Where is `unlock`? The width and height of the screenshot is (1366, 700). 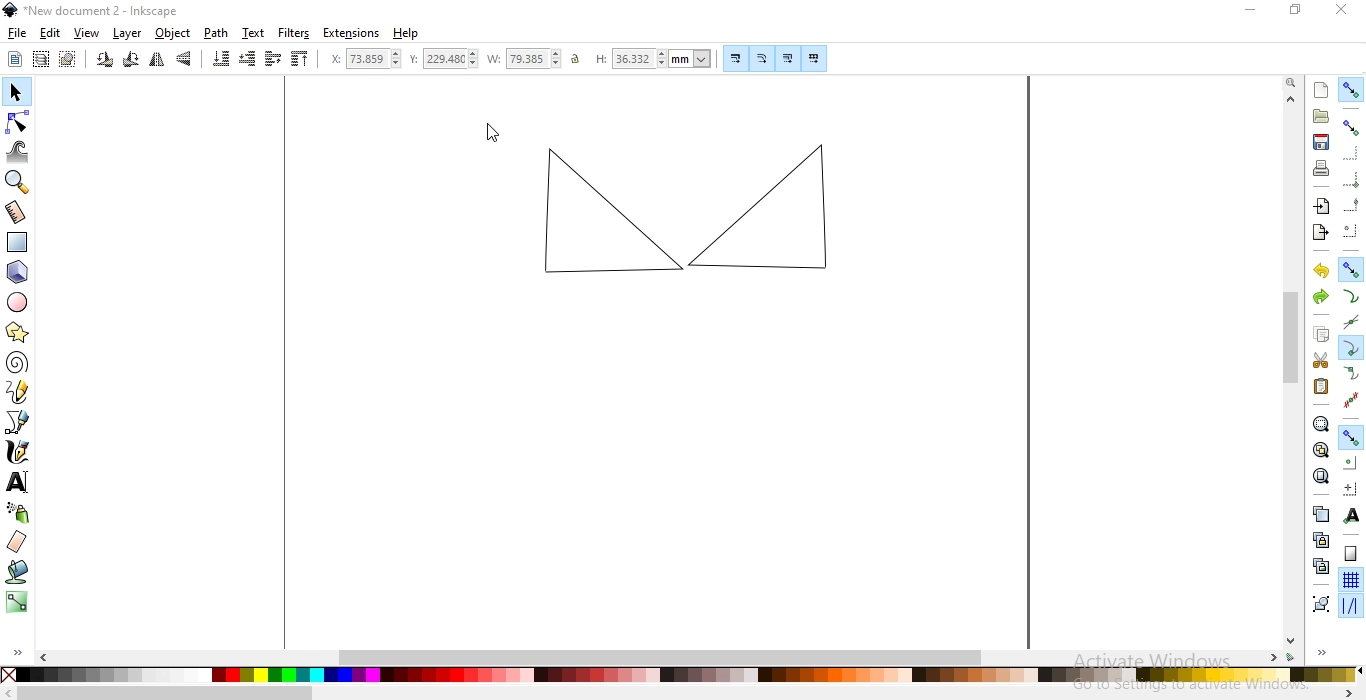 unlock is located at coordinates (579, 60).